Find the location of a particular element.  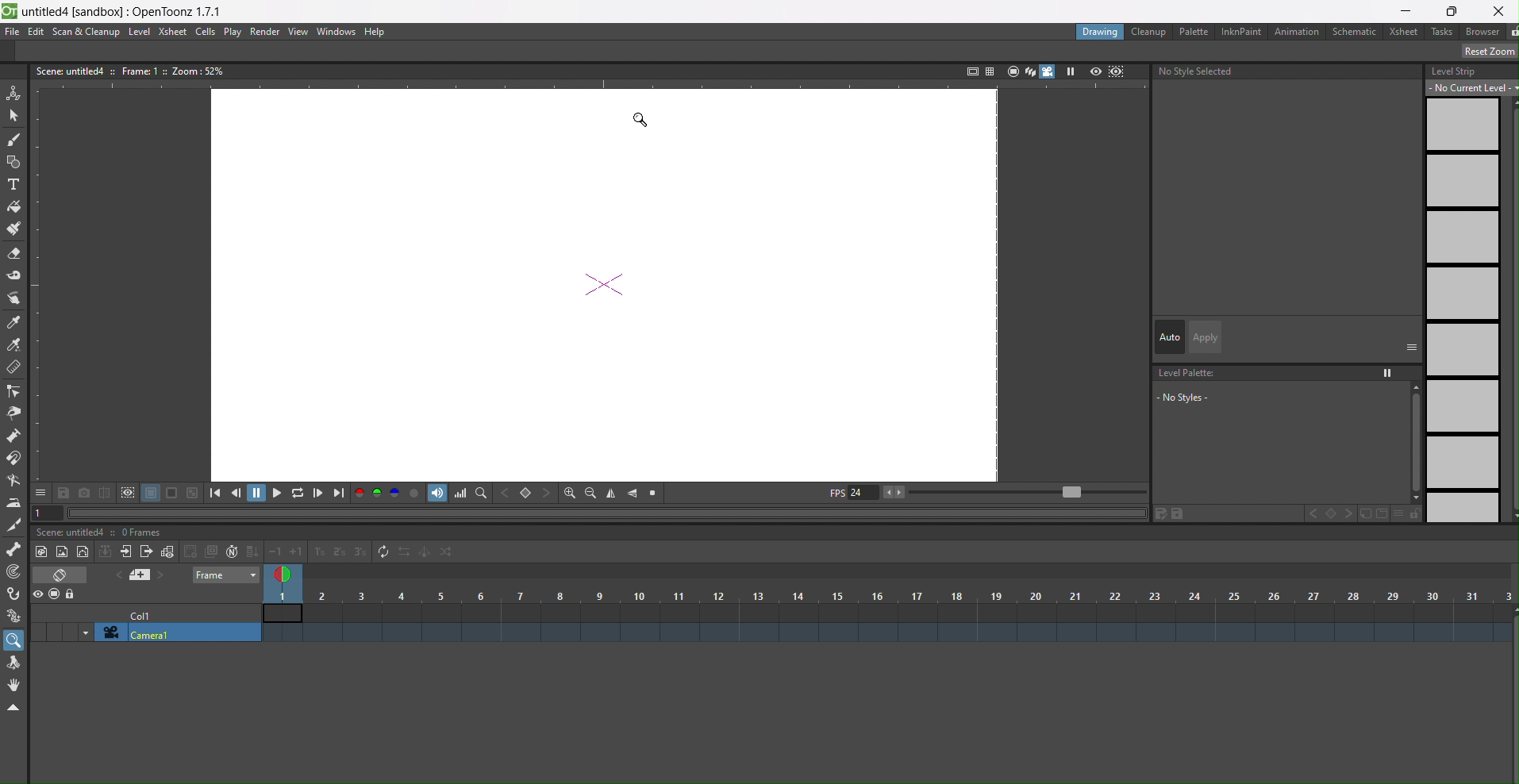

restore window is located at coordinates (1452, 11).